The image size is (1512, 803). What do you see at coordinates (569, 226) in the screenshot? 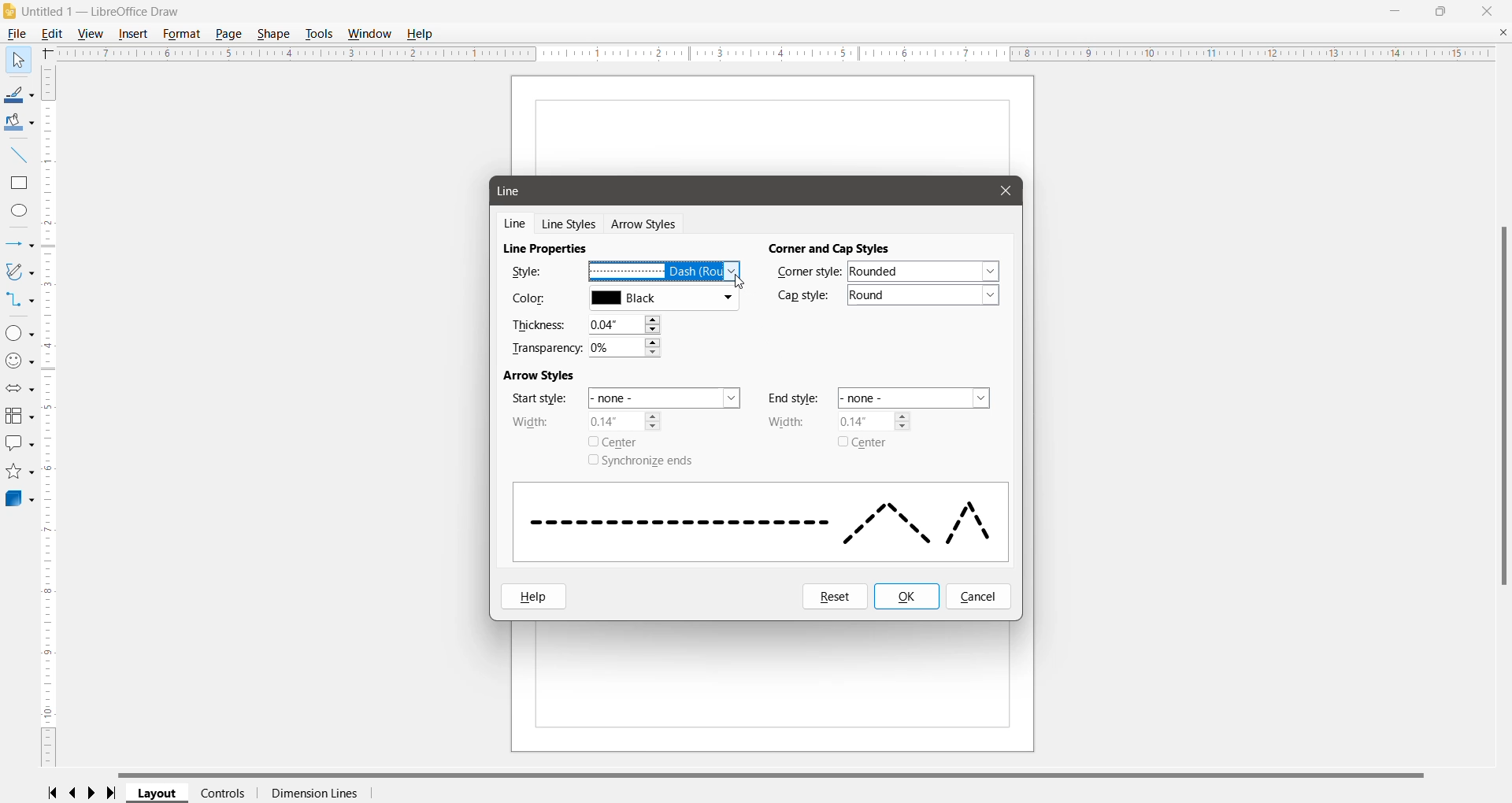
I see `Line Styles` at bounding box center [569, 226].